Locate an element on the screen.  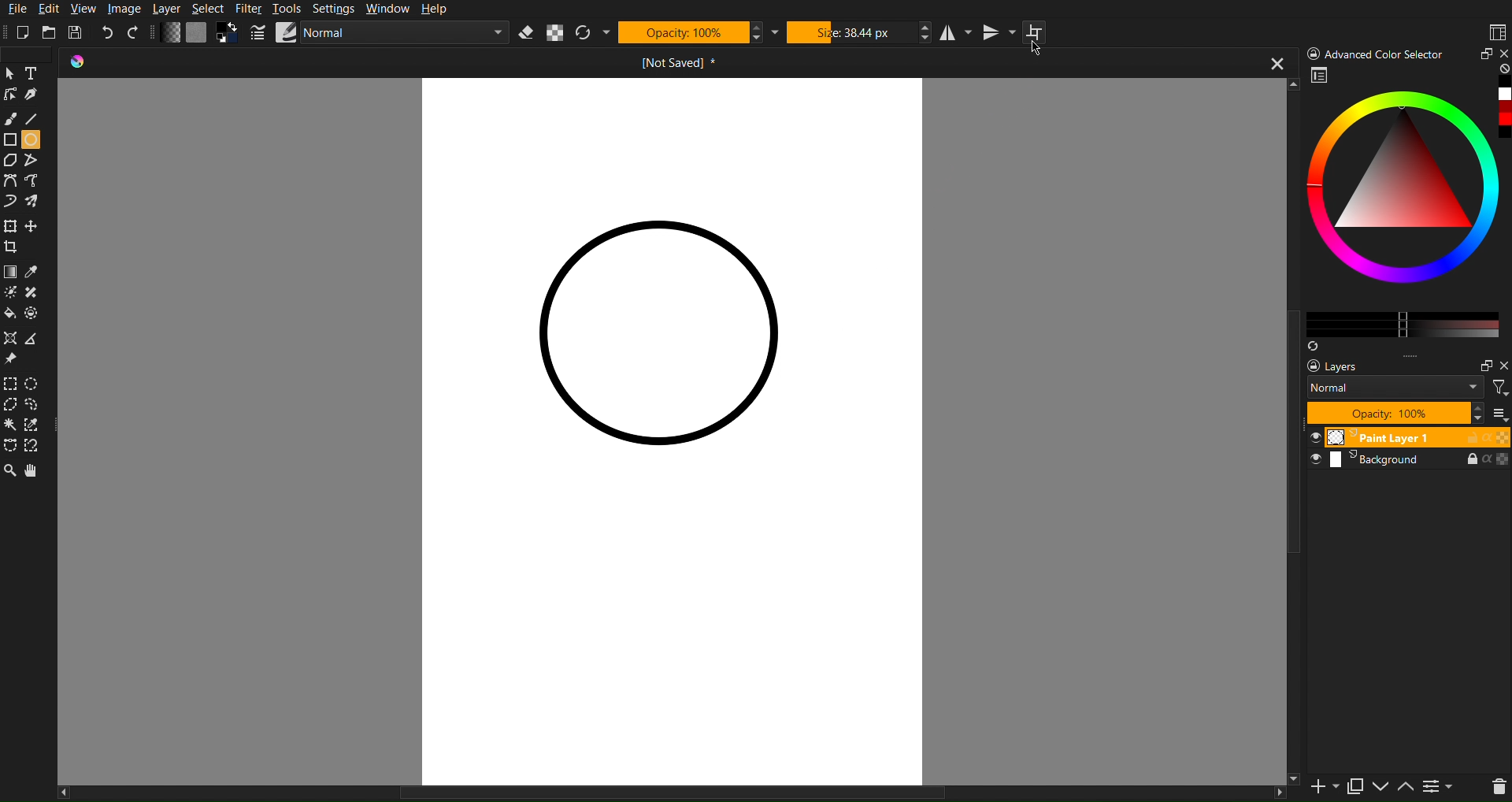
Pan is located at coordinates (39, 470).